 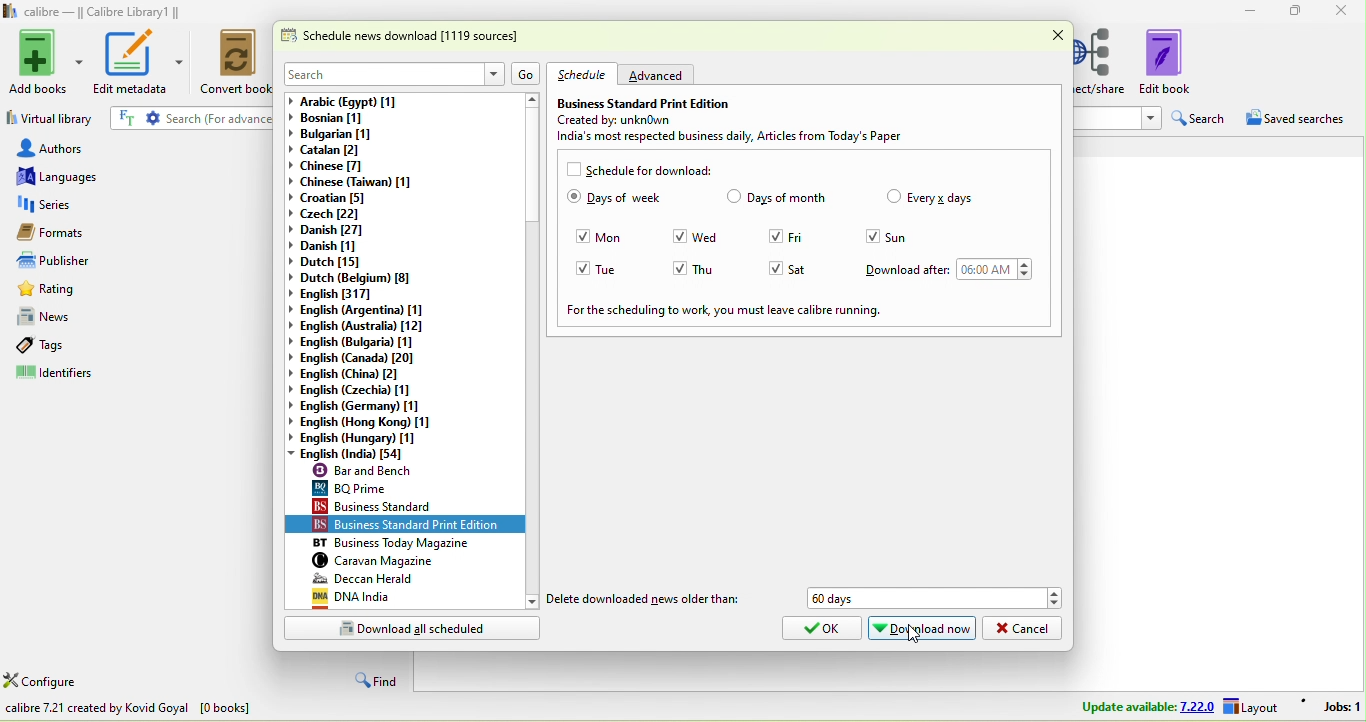 I want to click on publishers, so click(x=137, y=260).